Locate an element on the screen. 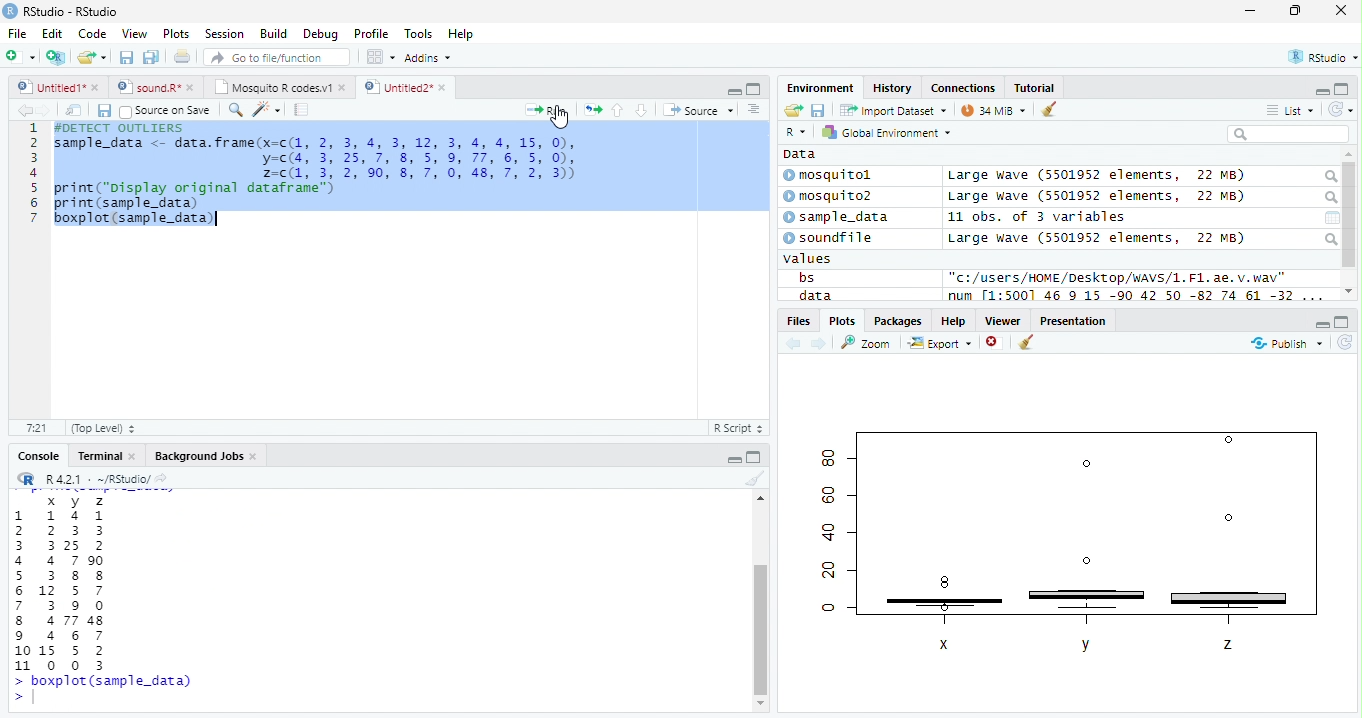 The image size is (1362, 718). 34 MiB is located at coordinates (993, 110).